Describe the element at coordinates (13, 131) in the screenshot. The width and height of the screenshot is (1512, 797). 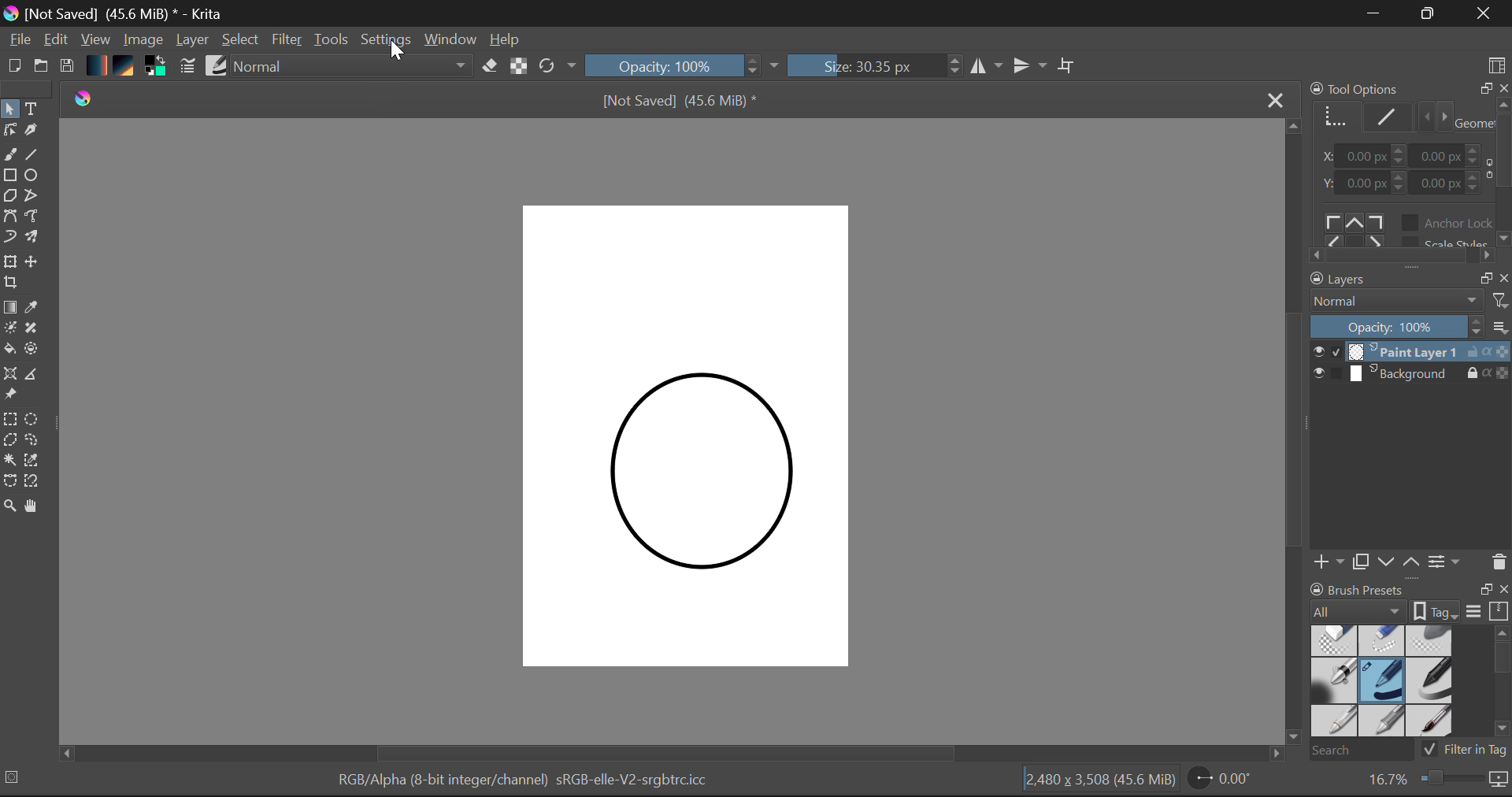
I see `Edit Shapes` at that location.